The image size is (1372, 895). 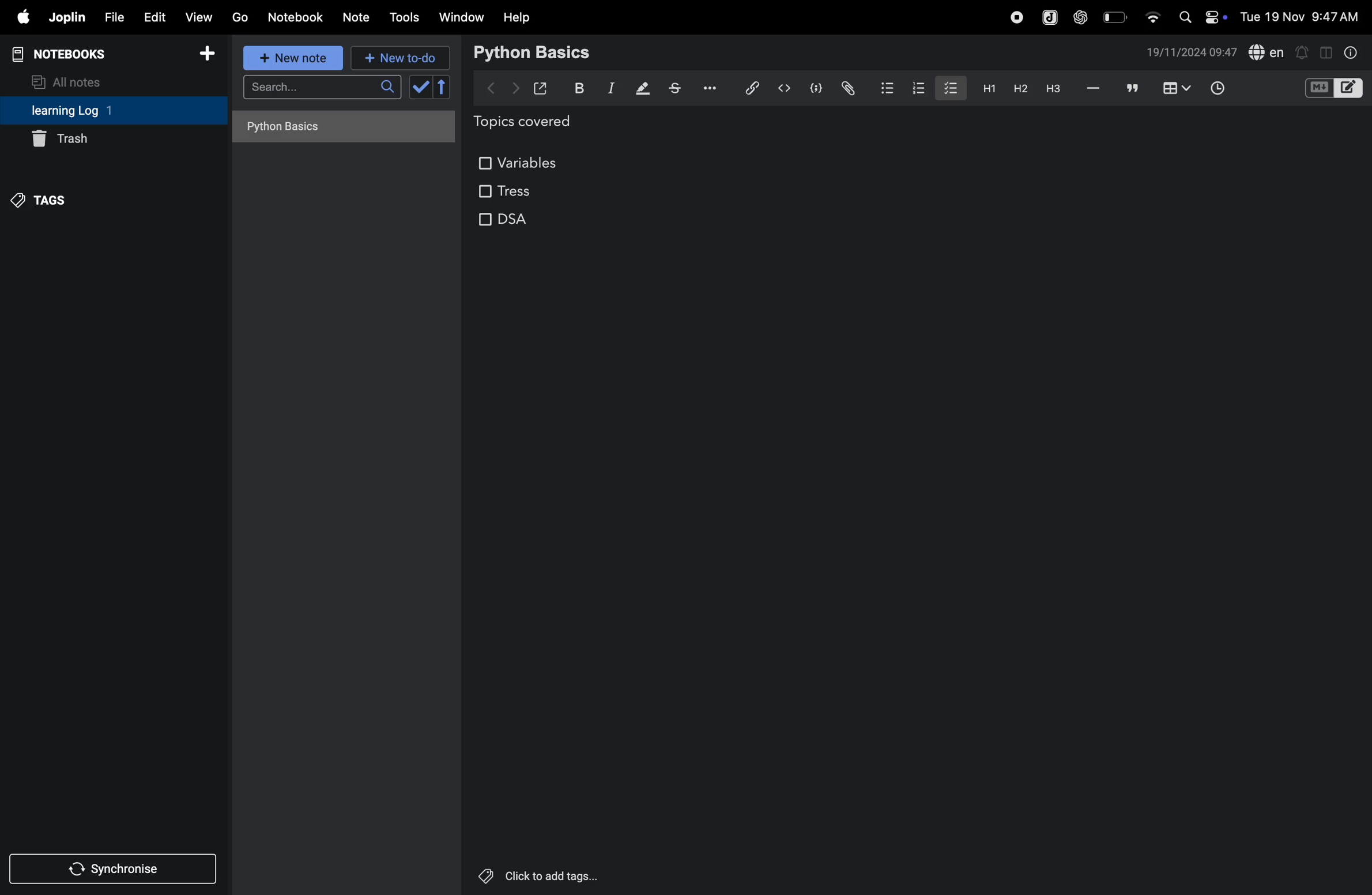 What do you see at coordinates (1192, 52) in the screenshot?
I see `date and time` at bounding box center [1192, 52].